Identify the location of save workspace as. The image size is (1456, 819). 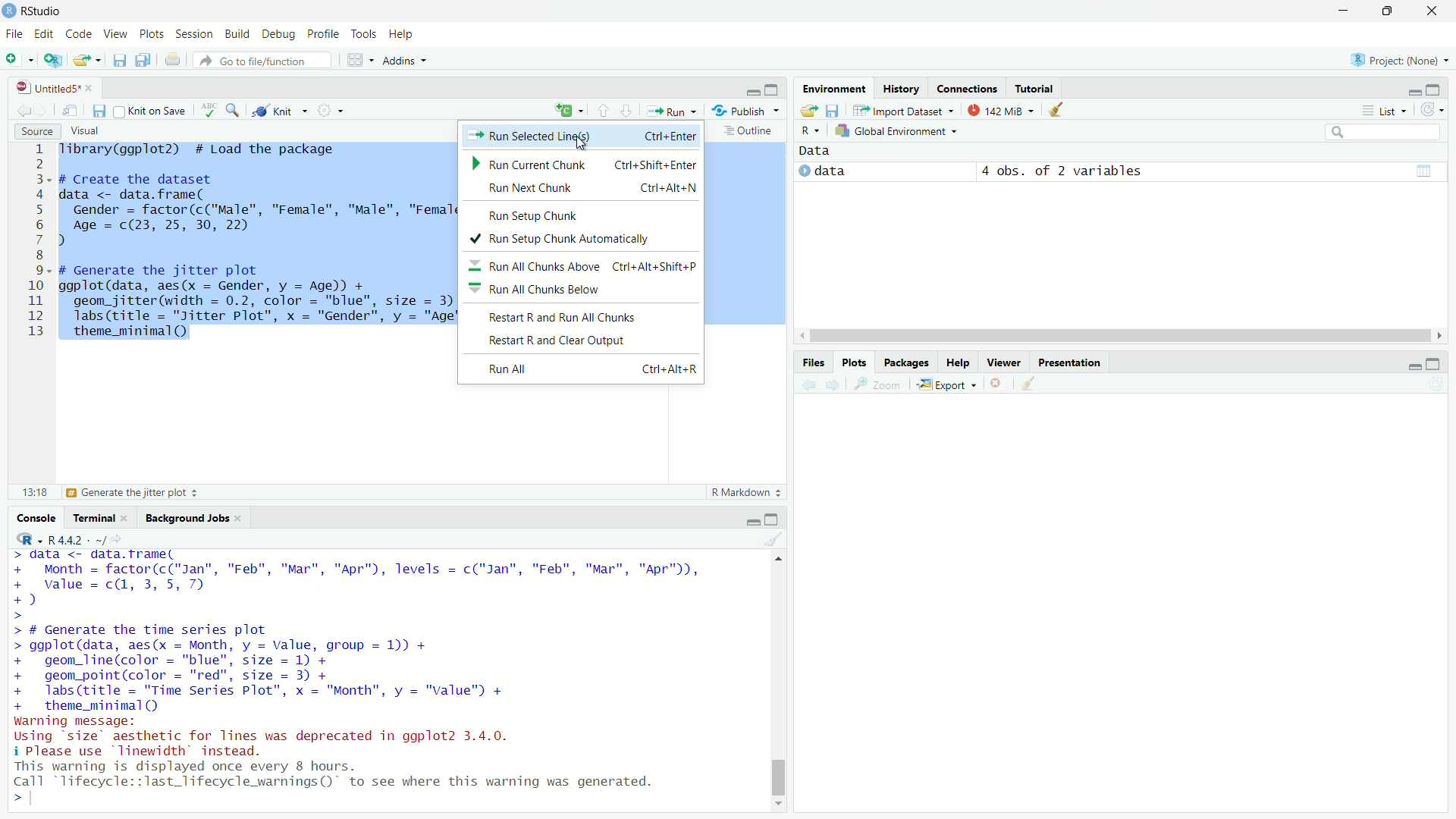
(834, 111).